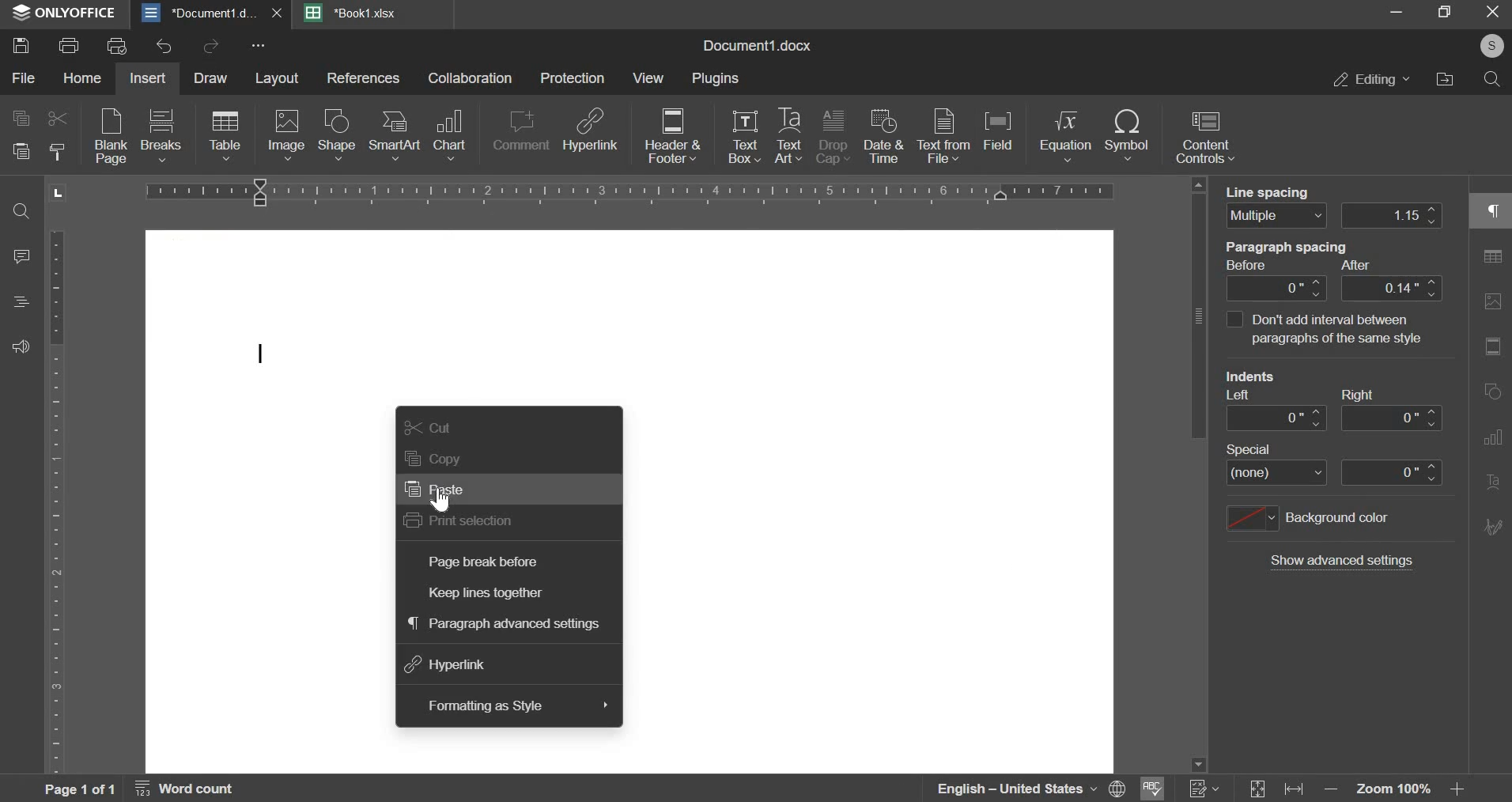 The width and height of the screenshot is (1512, 802). I want to click on image, so click(286, 136).